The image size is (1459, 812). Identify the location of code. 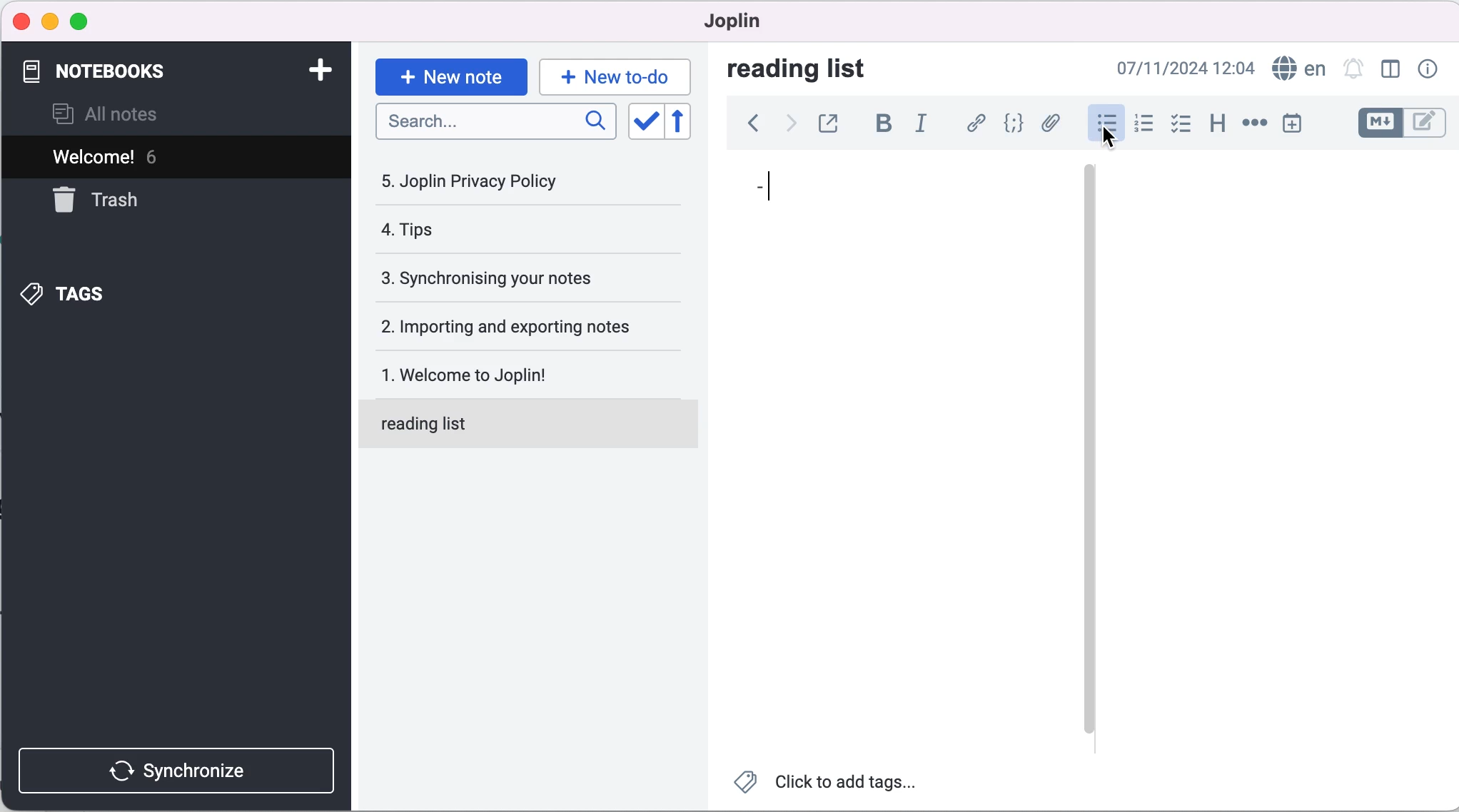
(1014, 124).